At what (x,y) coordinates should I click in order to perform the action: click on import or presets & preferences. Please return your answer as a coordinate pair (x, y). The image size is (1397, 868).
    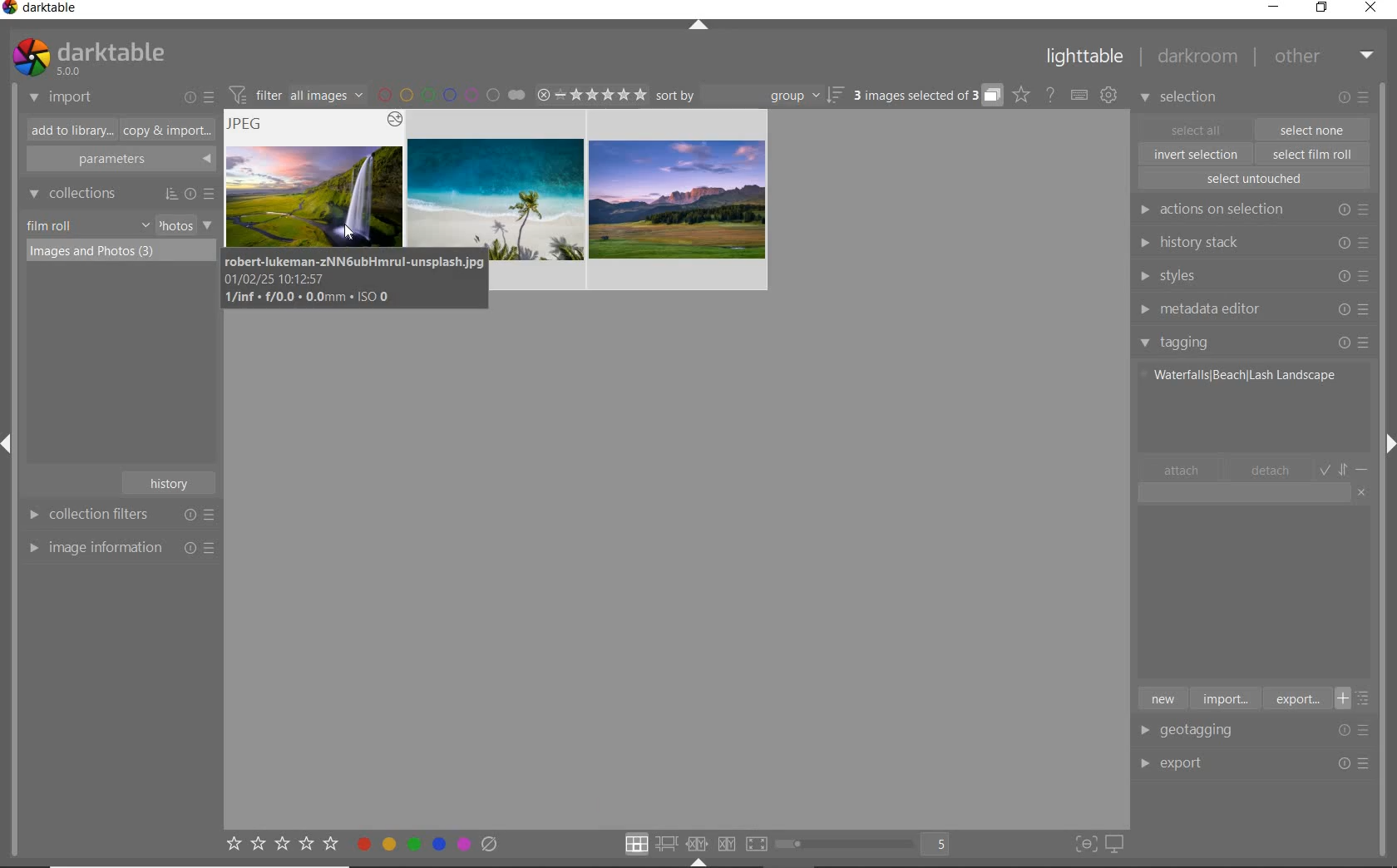
    Looking at the image, I should click on (199, 96).